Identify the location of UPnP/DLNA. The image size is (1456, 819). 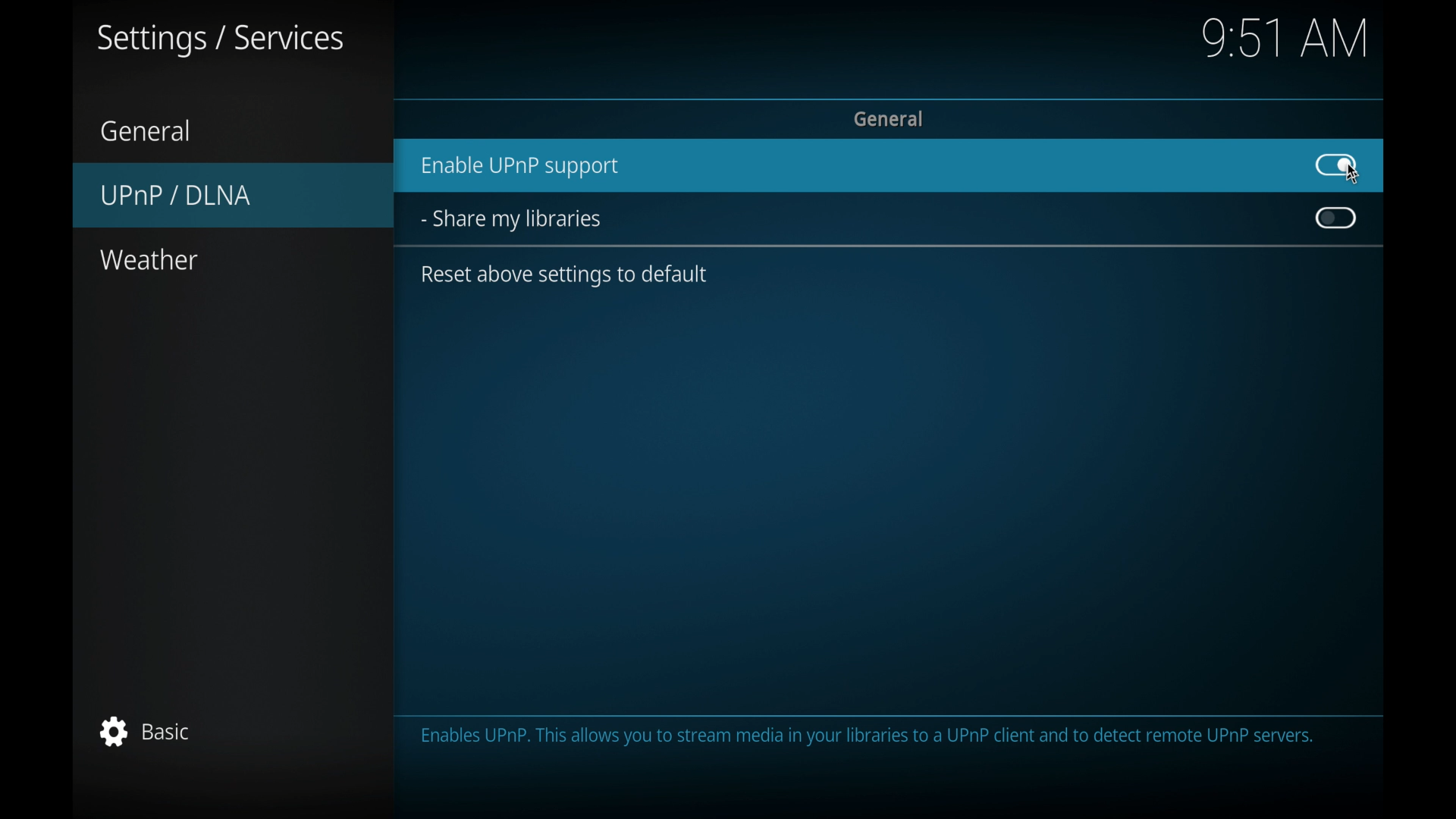
(223, 192).